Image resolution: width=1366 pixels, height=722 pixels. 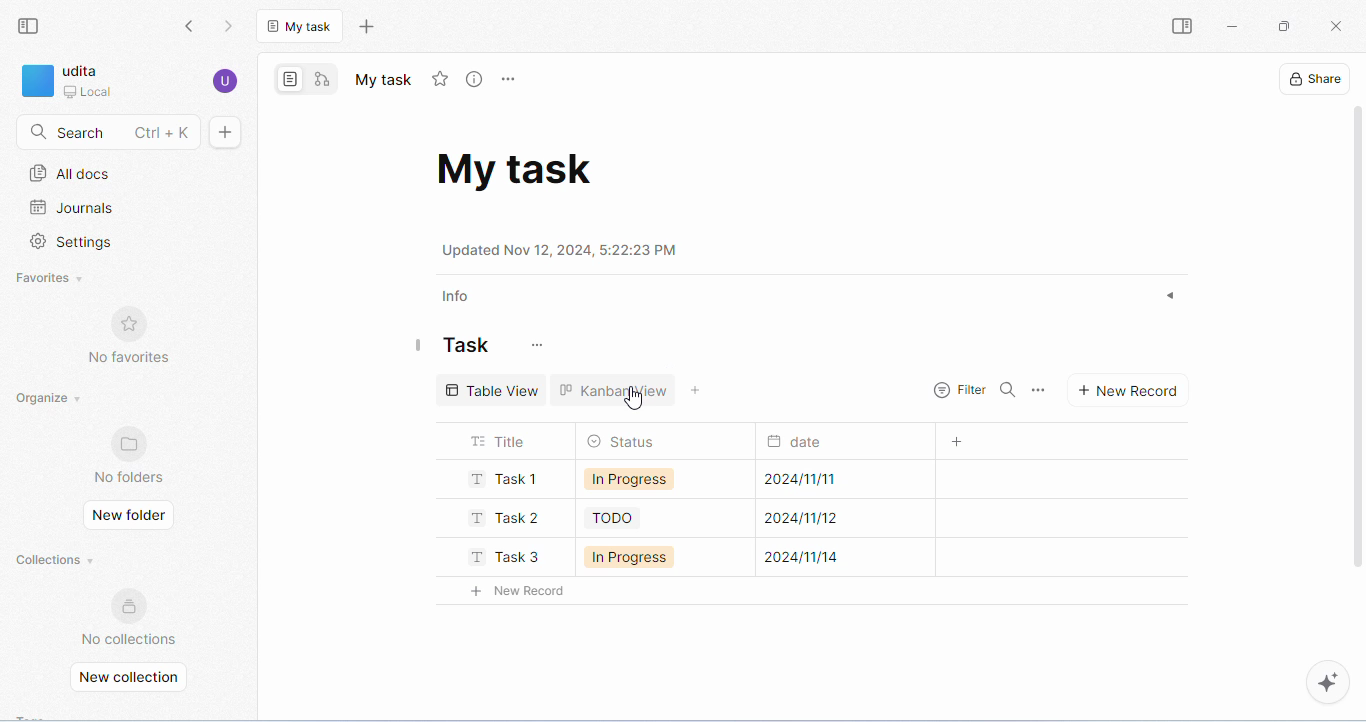 I want to click on favorites, so click(x=49, y=280).